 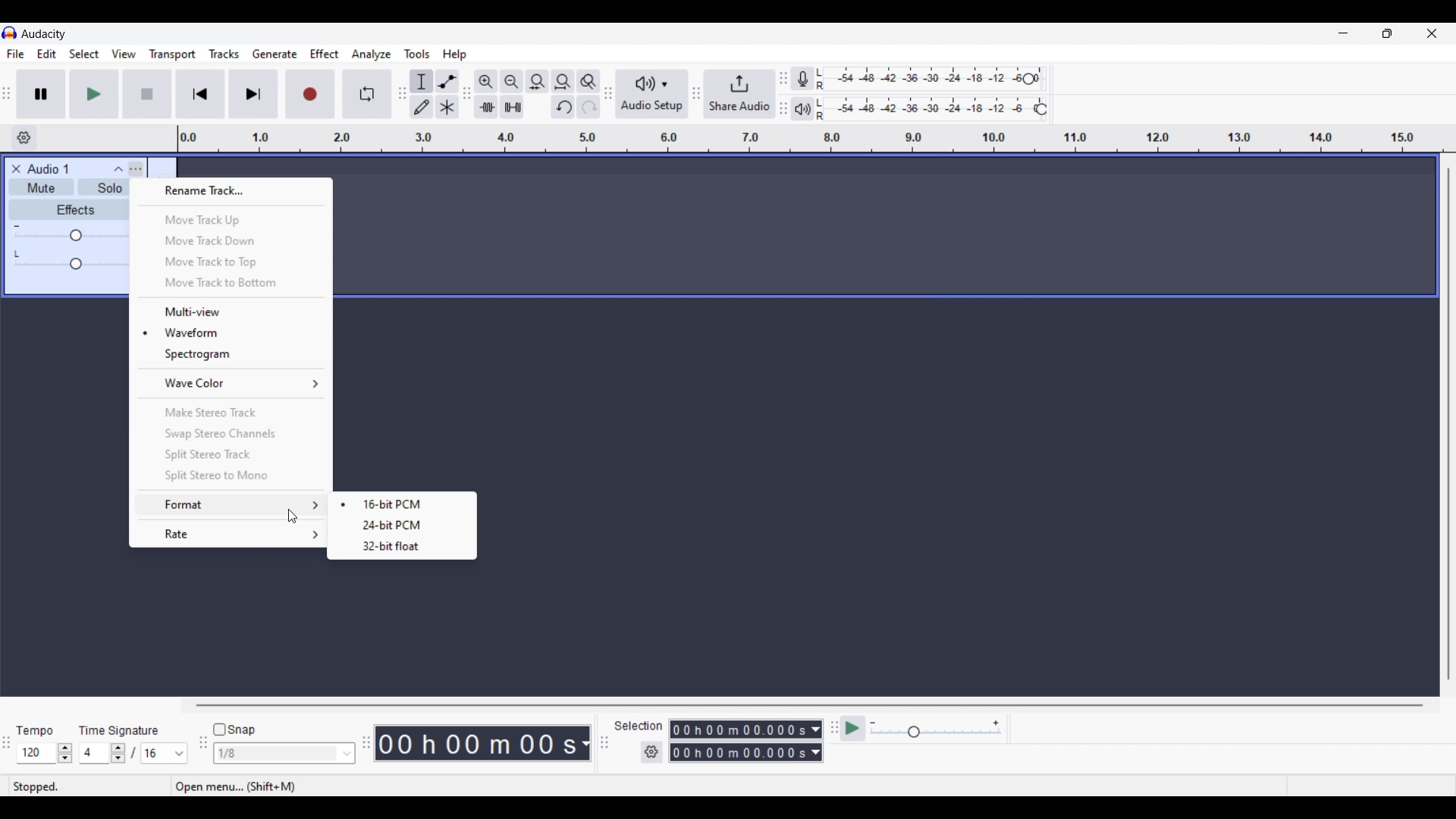 What do you see at coordinates (14, 168) in the screenshot?
I see `close` at bounding box center [14, 168].